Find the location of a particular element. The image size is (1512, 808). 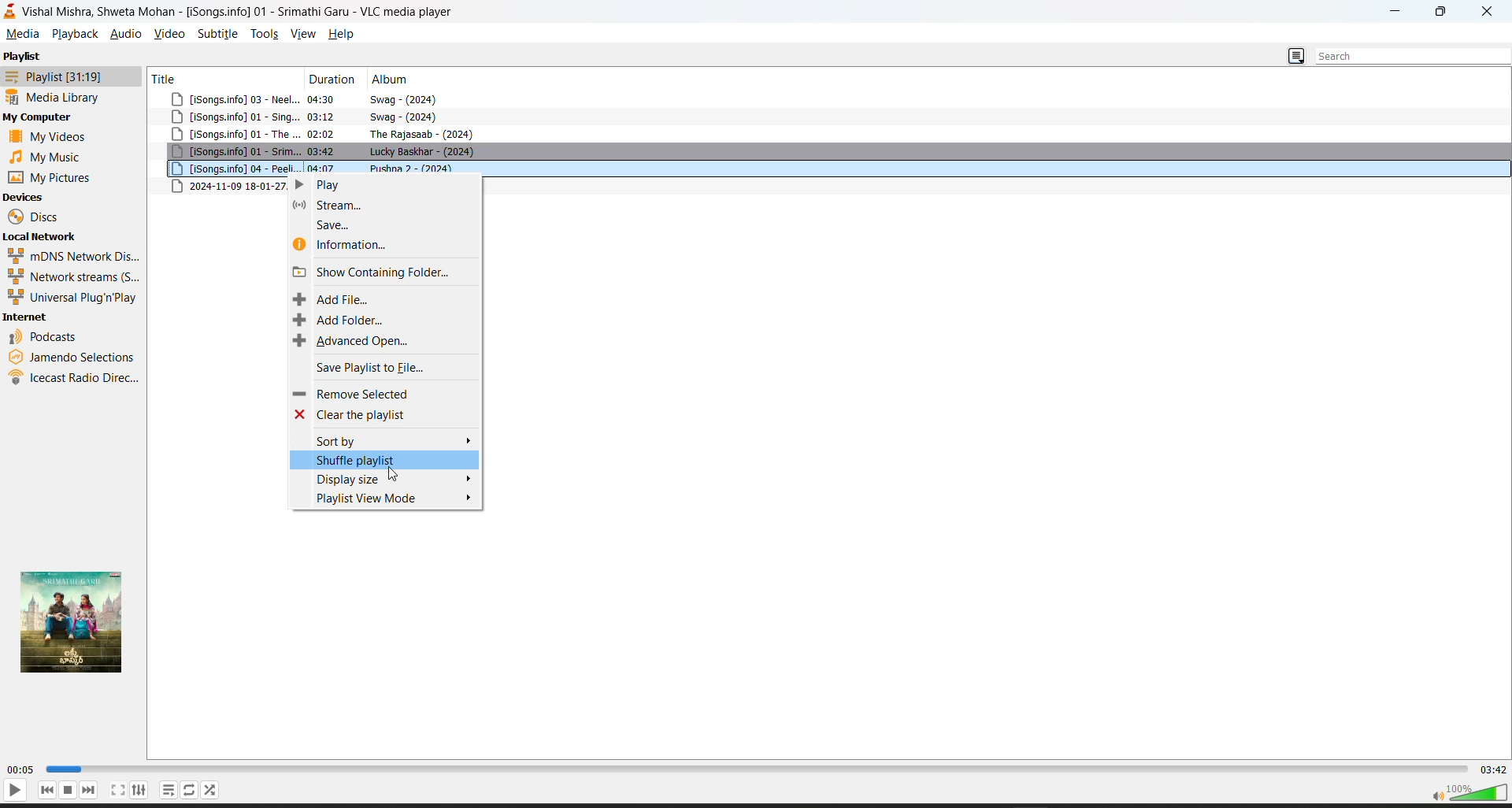

lucky baskhar-2024 is located at coordinates (423, 151).